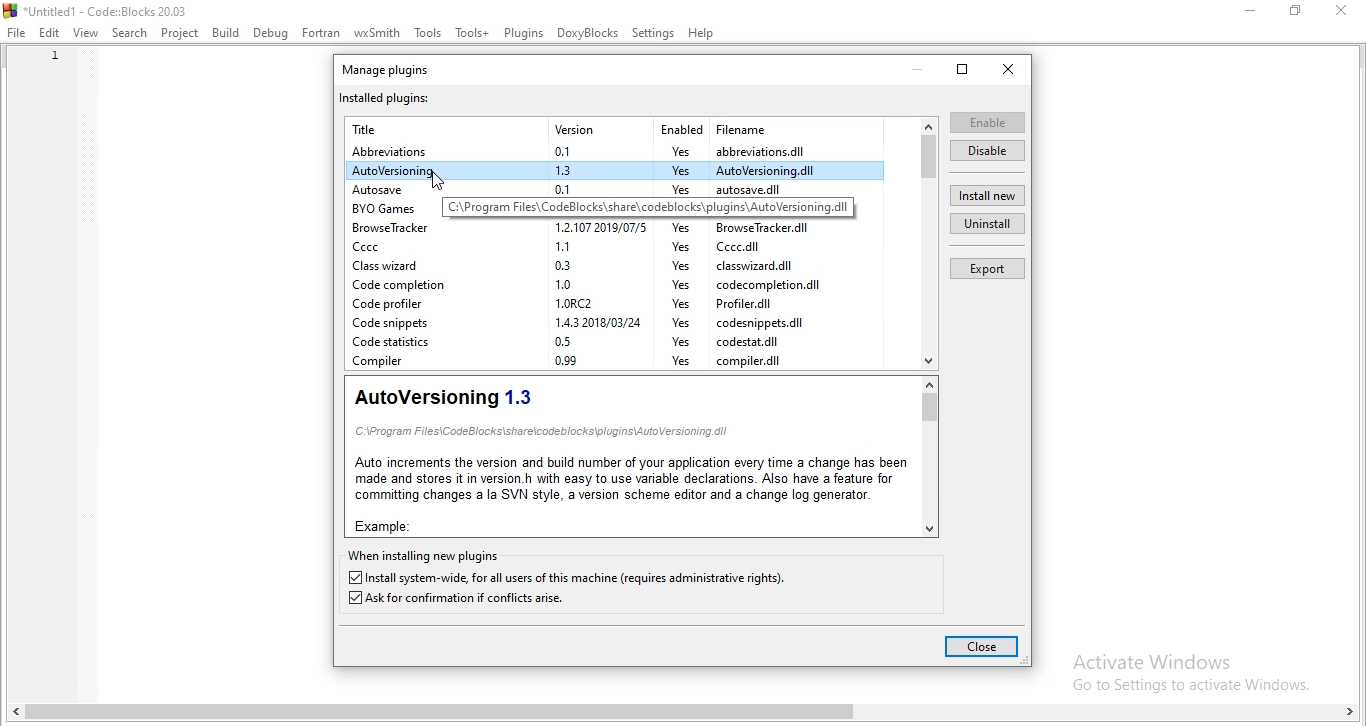 This screenshot has width=1366, height=726. Describe the element at coordinates (588, 362) in the screenshot. I see `Compiler 099 Yes  compiler.dil` at that location.